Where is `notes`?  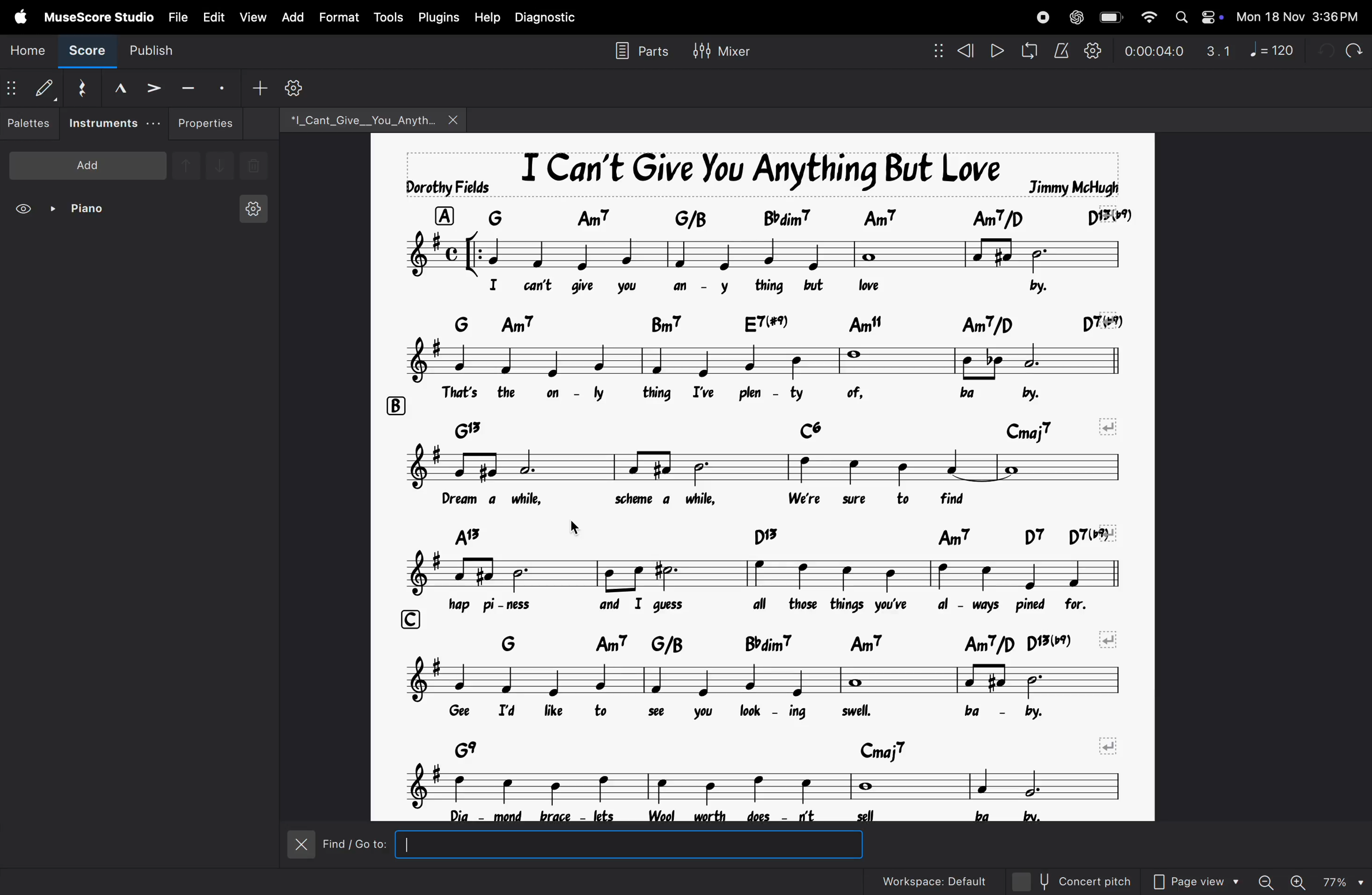 notes is located at coordinates (768, 254).